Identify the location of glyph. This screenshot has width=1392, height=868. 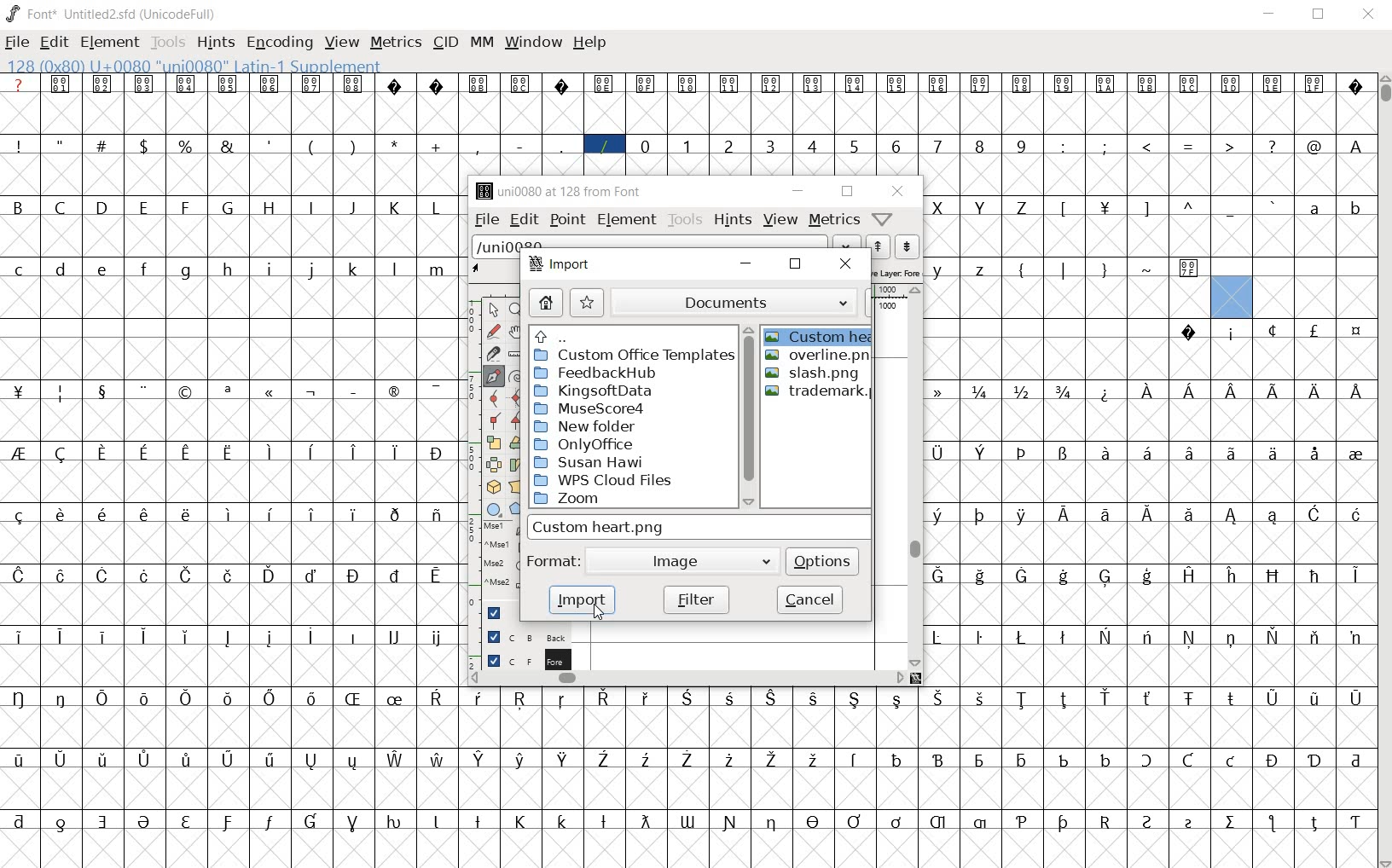
(143, 207).